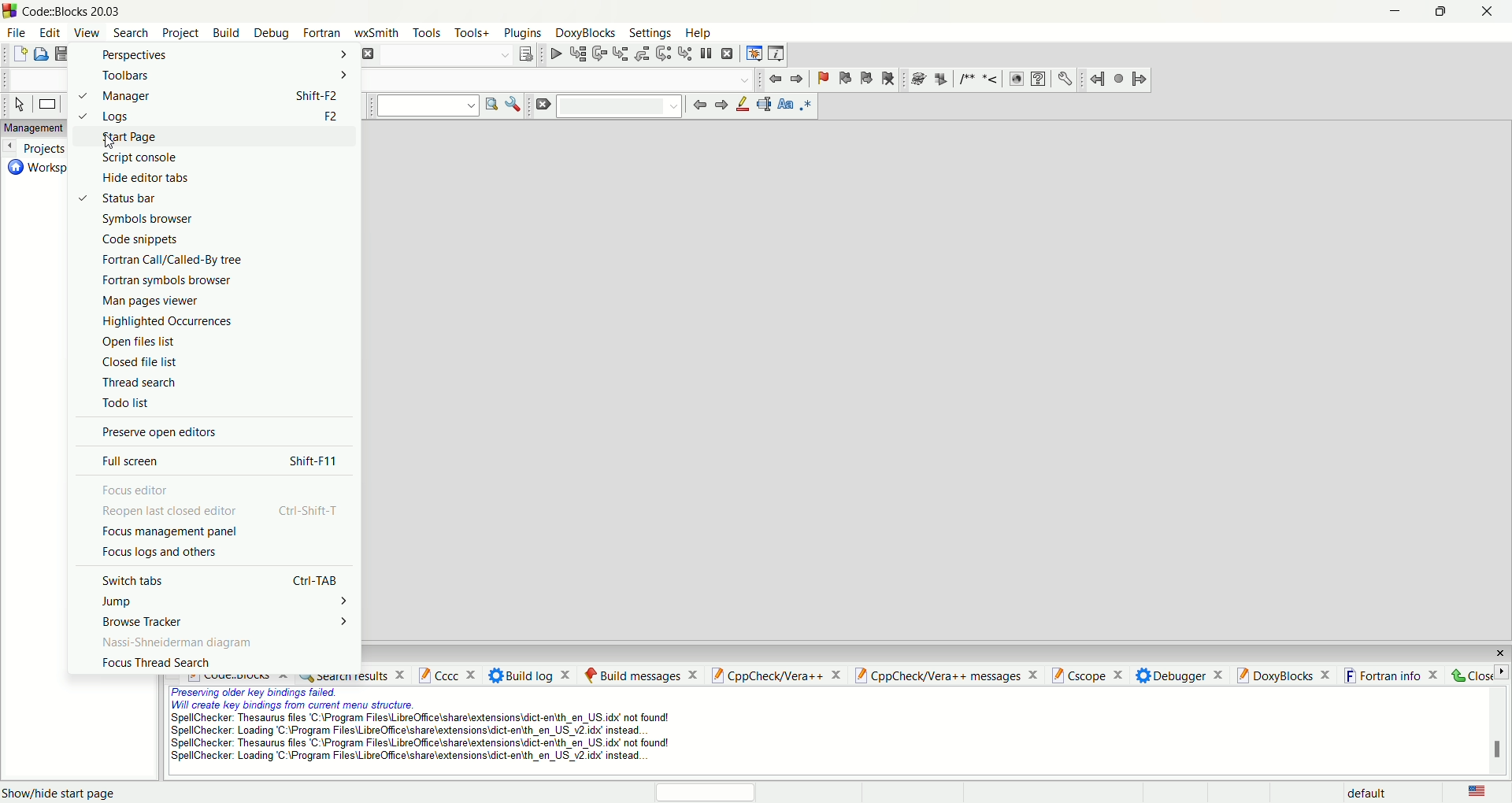 The width and height of the screenshot is (1512, 803). Describe the element at coordinates (786, 107) in the screenshot. I see `match case` at that location.